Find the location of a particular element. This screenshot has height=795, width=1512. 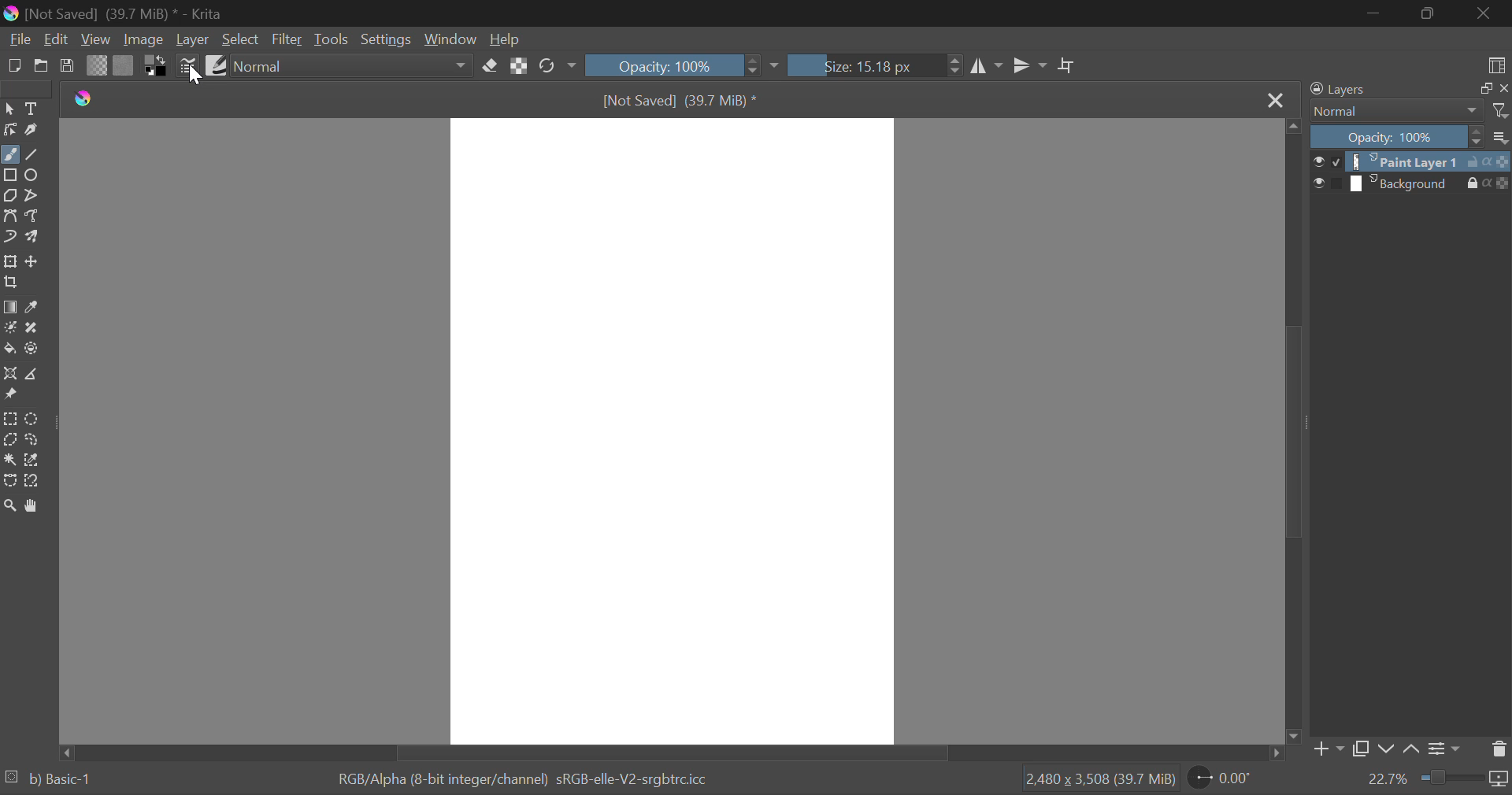

Assistant Tool is located at coordinates (11, 374).